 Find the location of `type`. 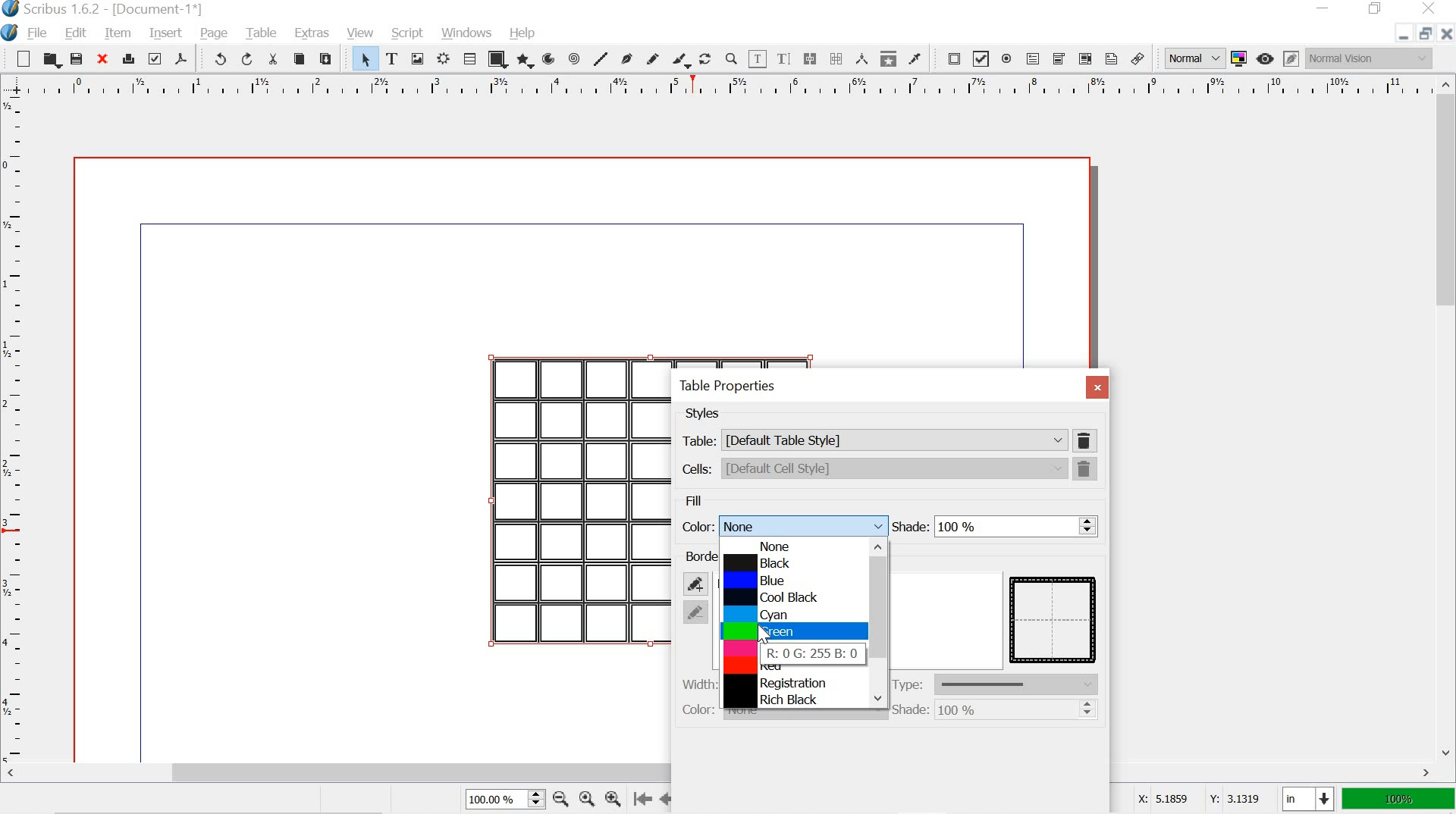

type is located at coordinates (999, 684).